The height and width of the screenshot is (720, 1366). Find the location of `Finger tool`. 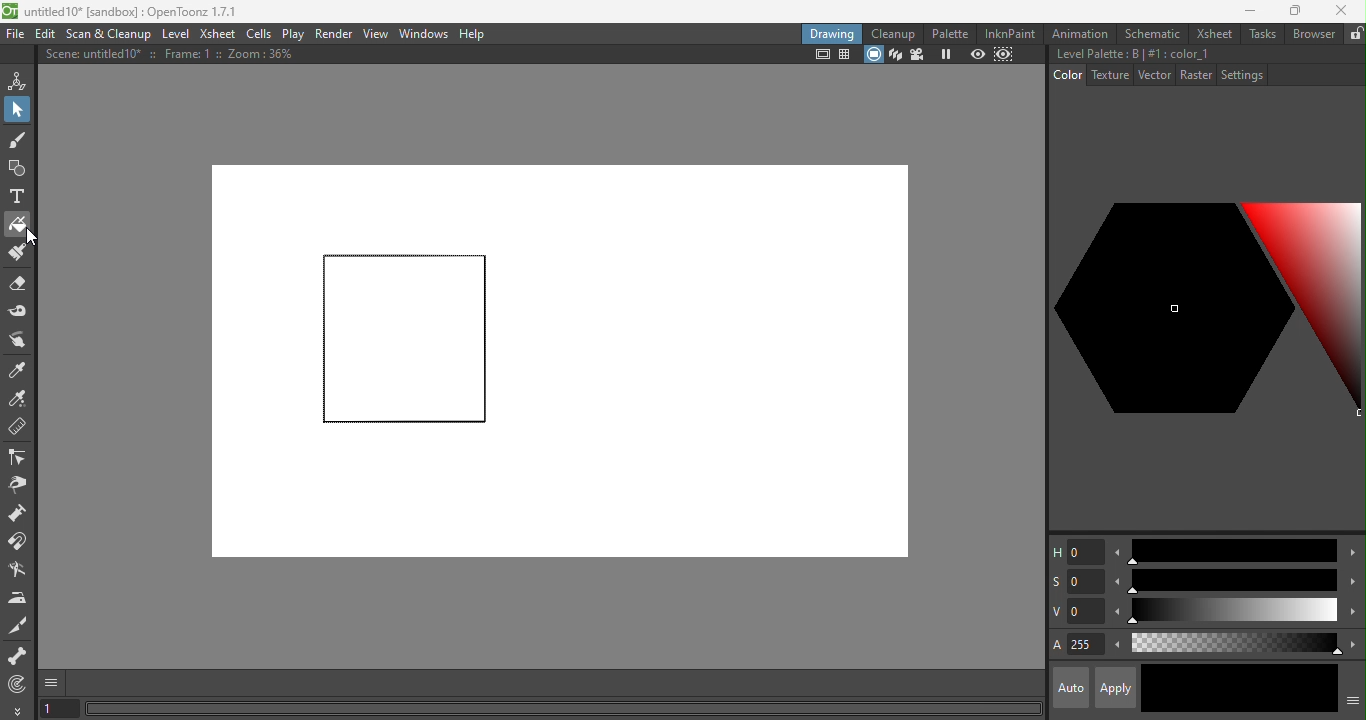

Finger tool is located at coordinates (22, 341).